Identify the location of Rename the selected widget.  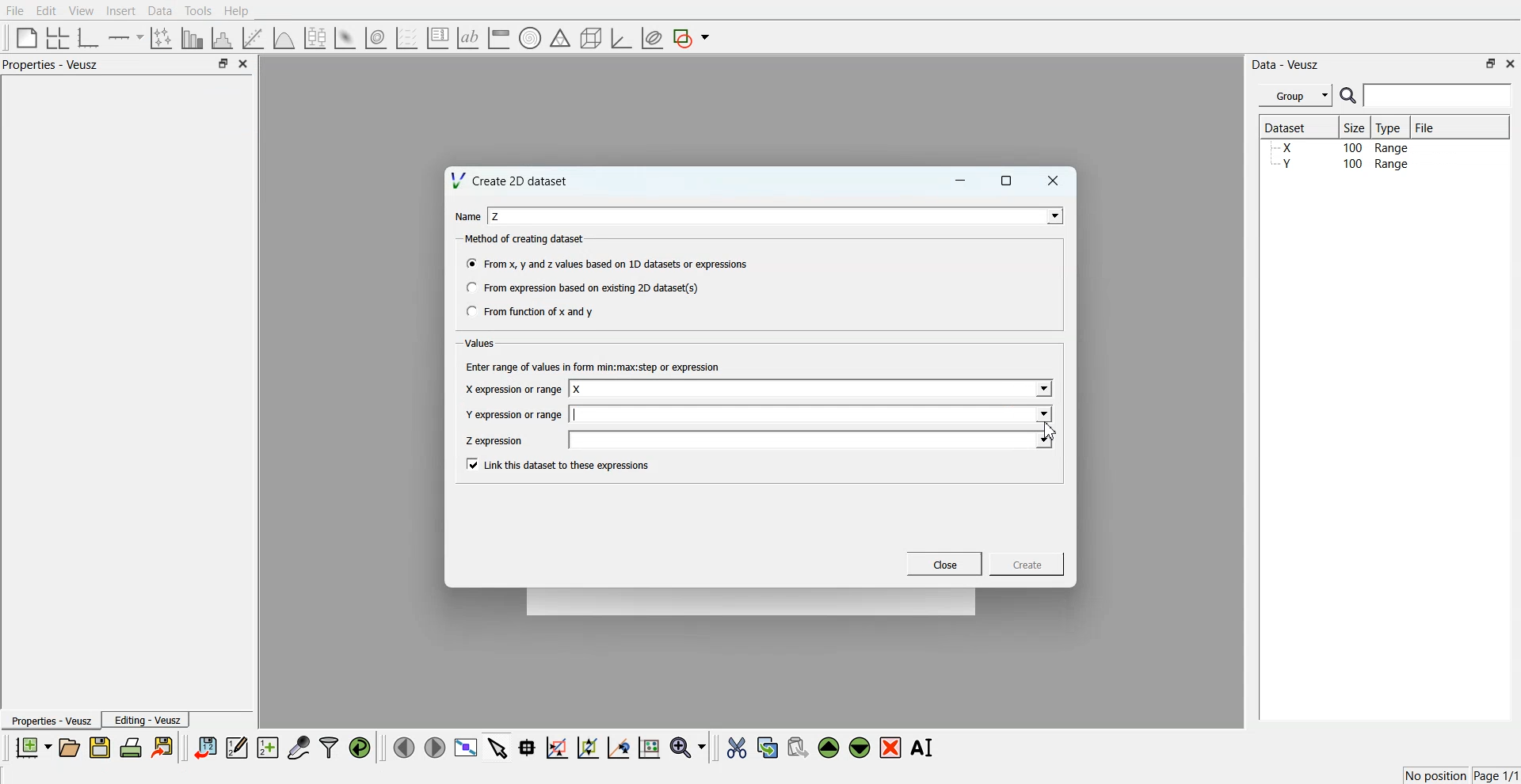
(924, 748).